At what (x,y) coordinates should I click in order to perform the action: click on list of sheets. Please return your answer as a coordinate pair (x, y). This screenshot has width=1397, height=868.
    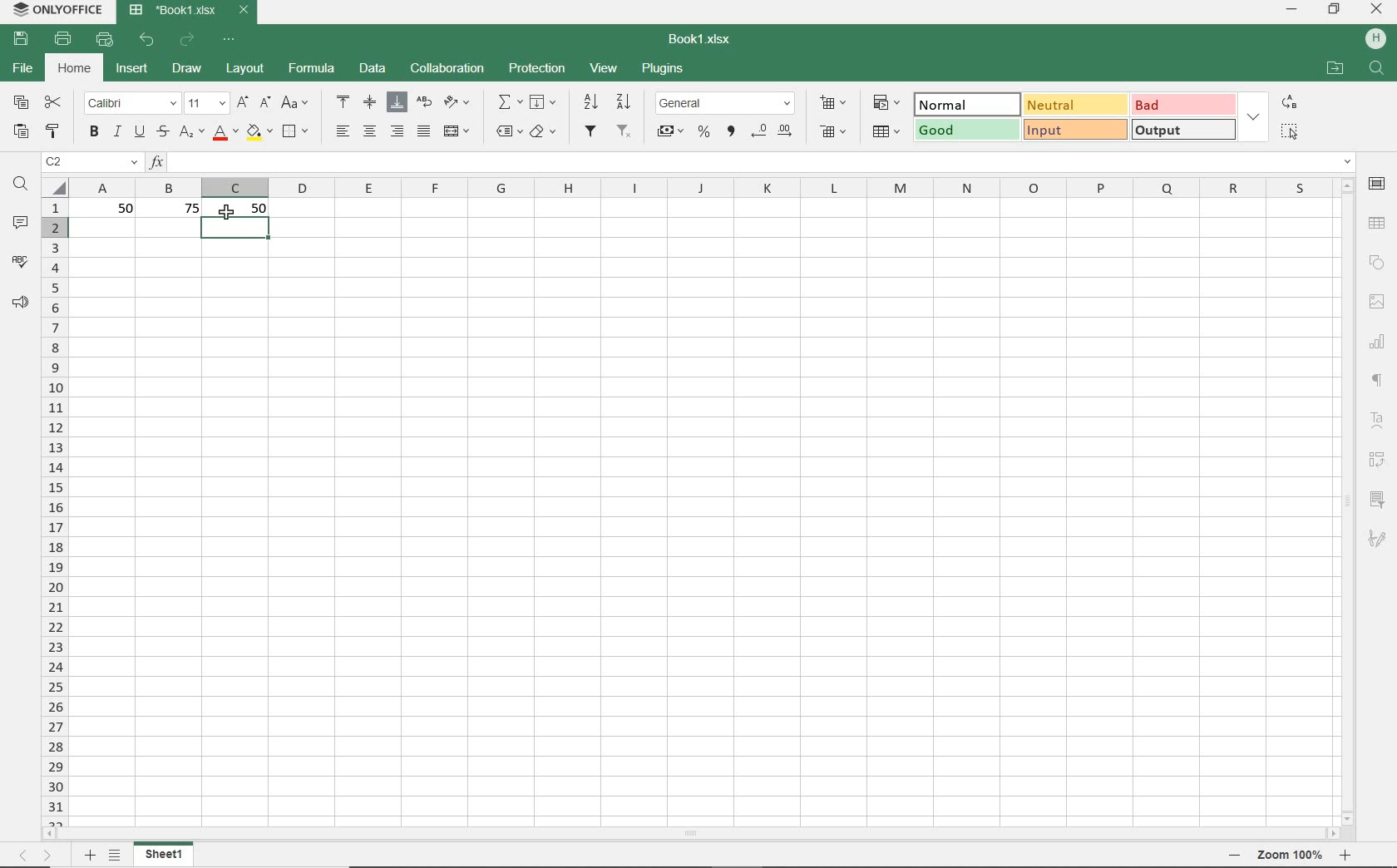
    Looking at the image, I should click on (116, 856).